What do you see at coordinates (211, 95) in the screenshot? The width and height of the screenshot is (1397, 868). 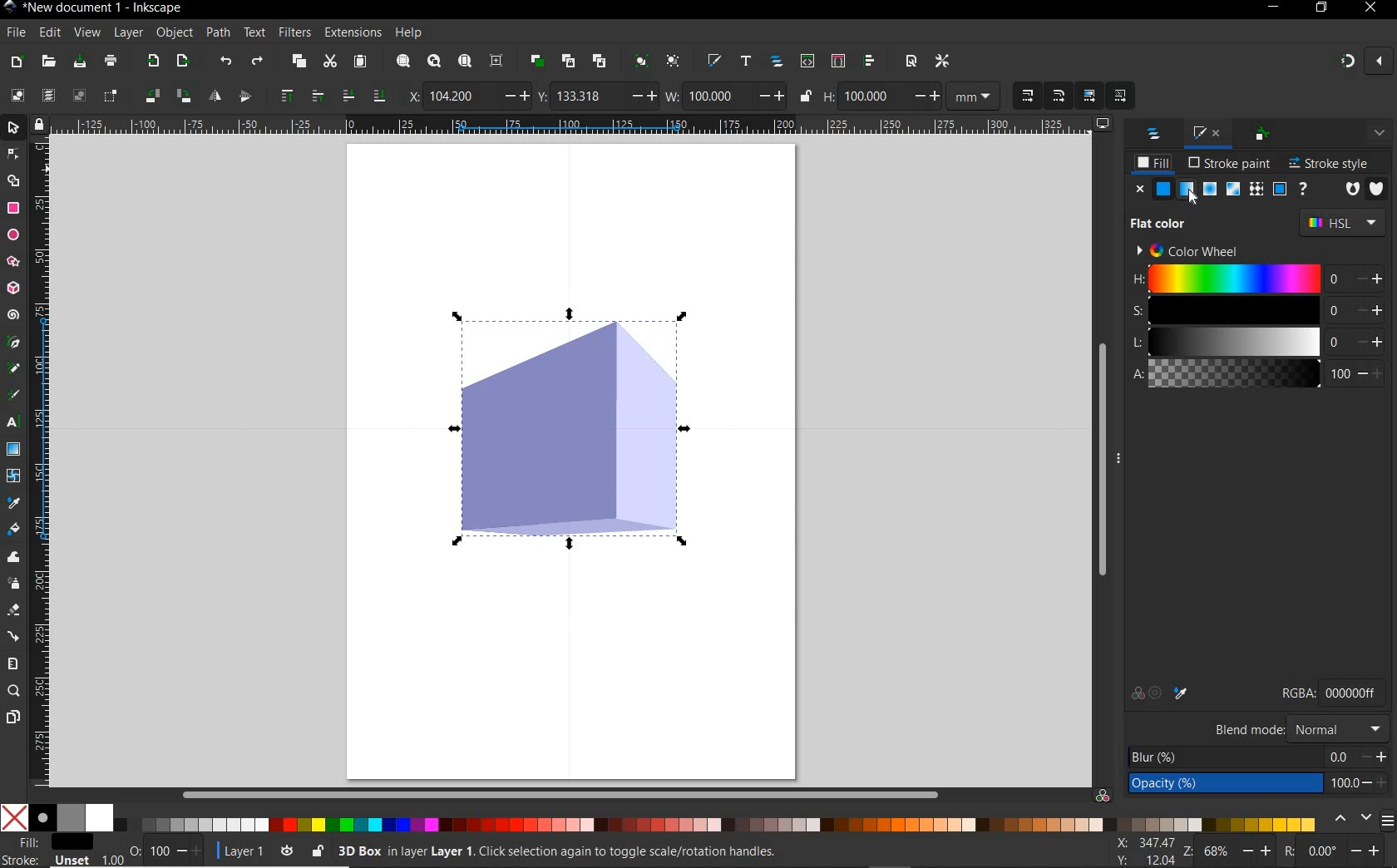 I see `OBJECT FLIP` at bounding box center [211, 95].